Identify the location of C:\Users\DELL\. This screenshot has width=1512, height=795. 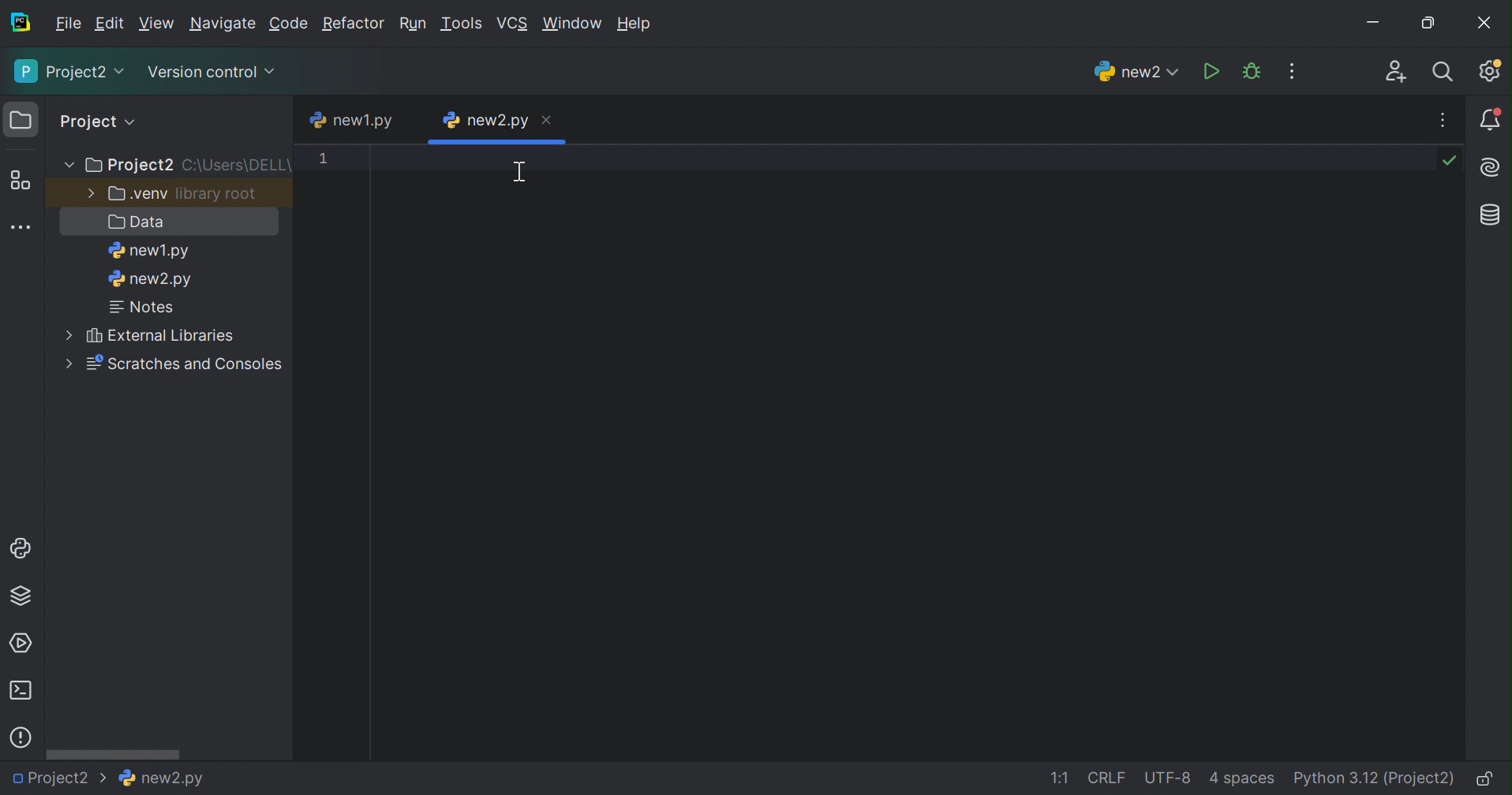
(238, 166).